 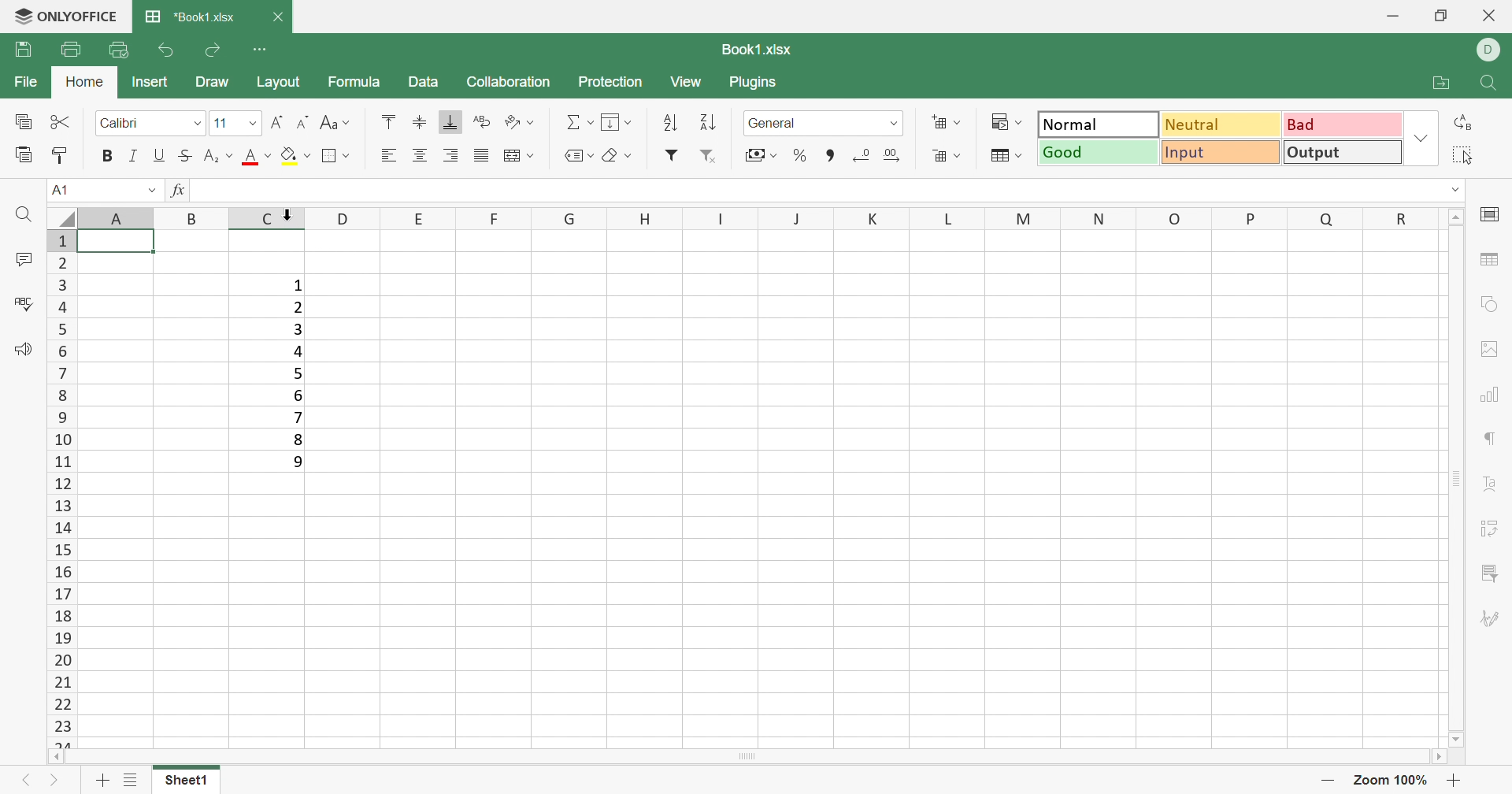 I want to click on Drop Down, so click(x=892, y=123).